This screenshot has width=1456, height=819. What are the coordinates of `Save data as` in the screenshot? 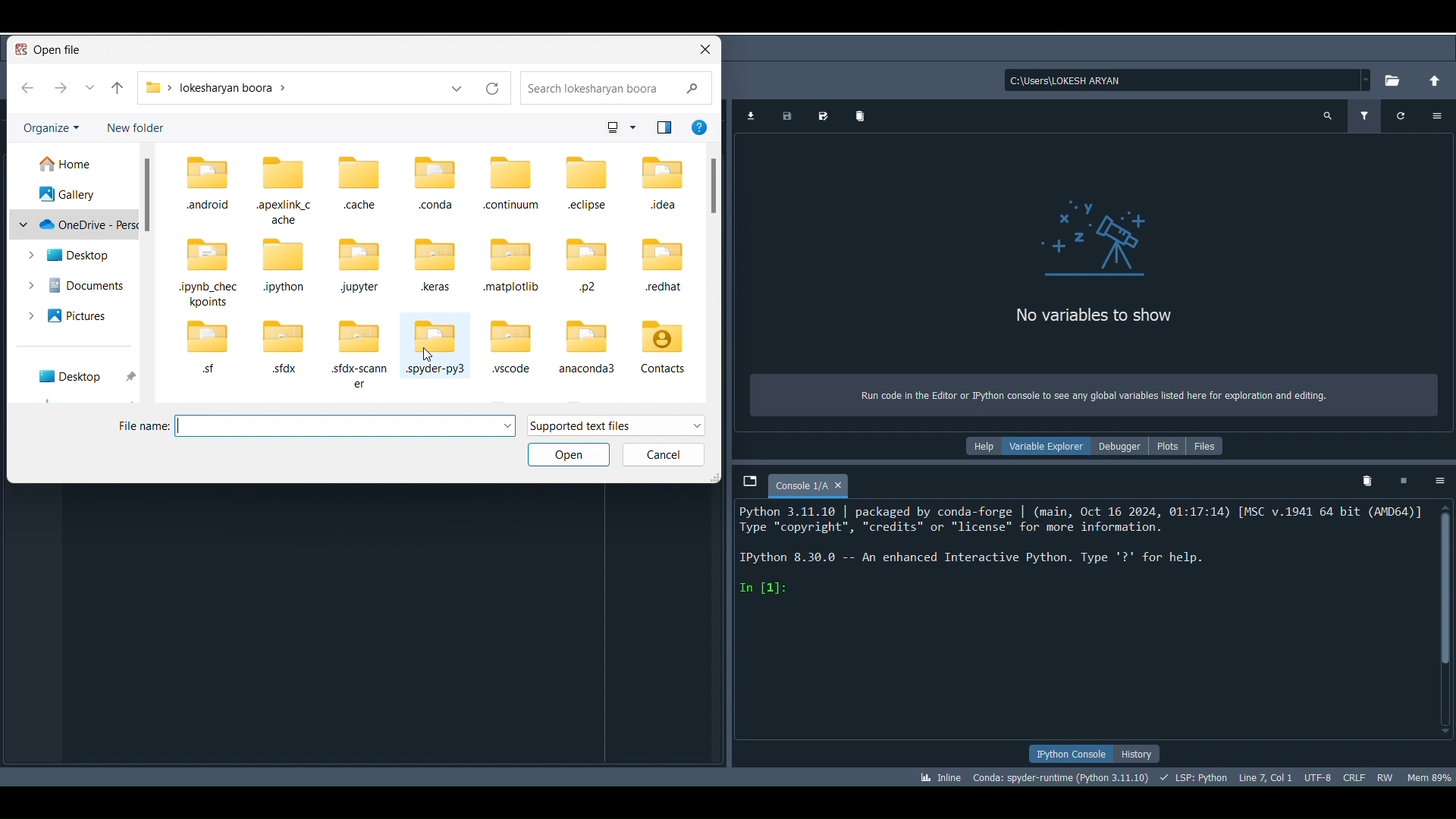 It's located at (818, 114).